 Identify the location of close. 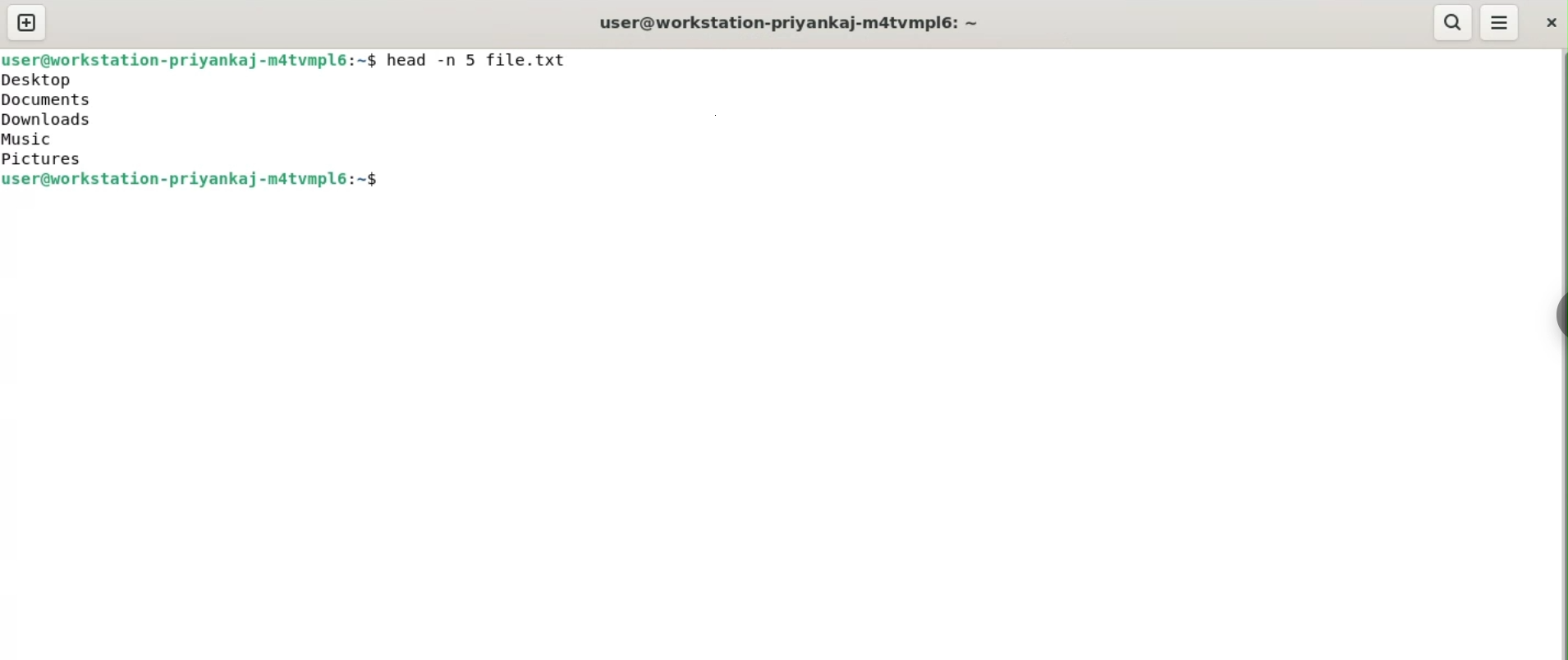
(1548, 22).